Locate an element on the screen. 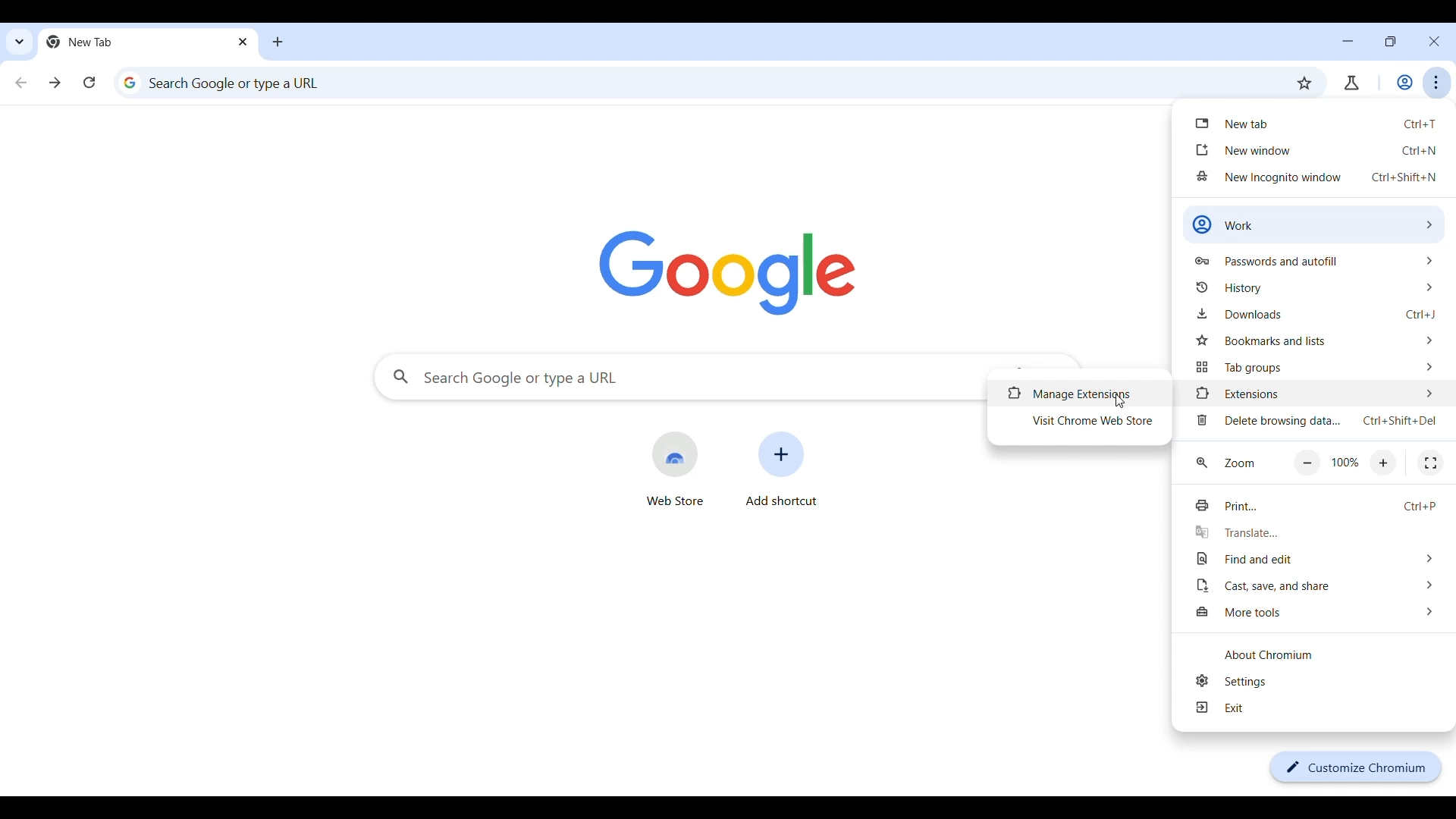 This screenshot has height=819, width=1456. Extension options is located at coordinates (1316, 393).